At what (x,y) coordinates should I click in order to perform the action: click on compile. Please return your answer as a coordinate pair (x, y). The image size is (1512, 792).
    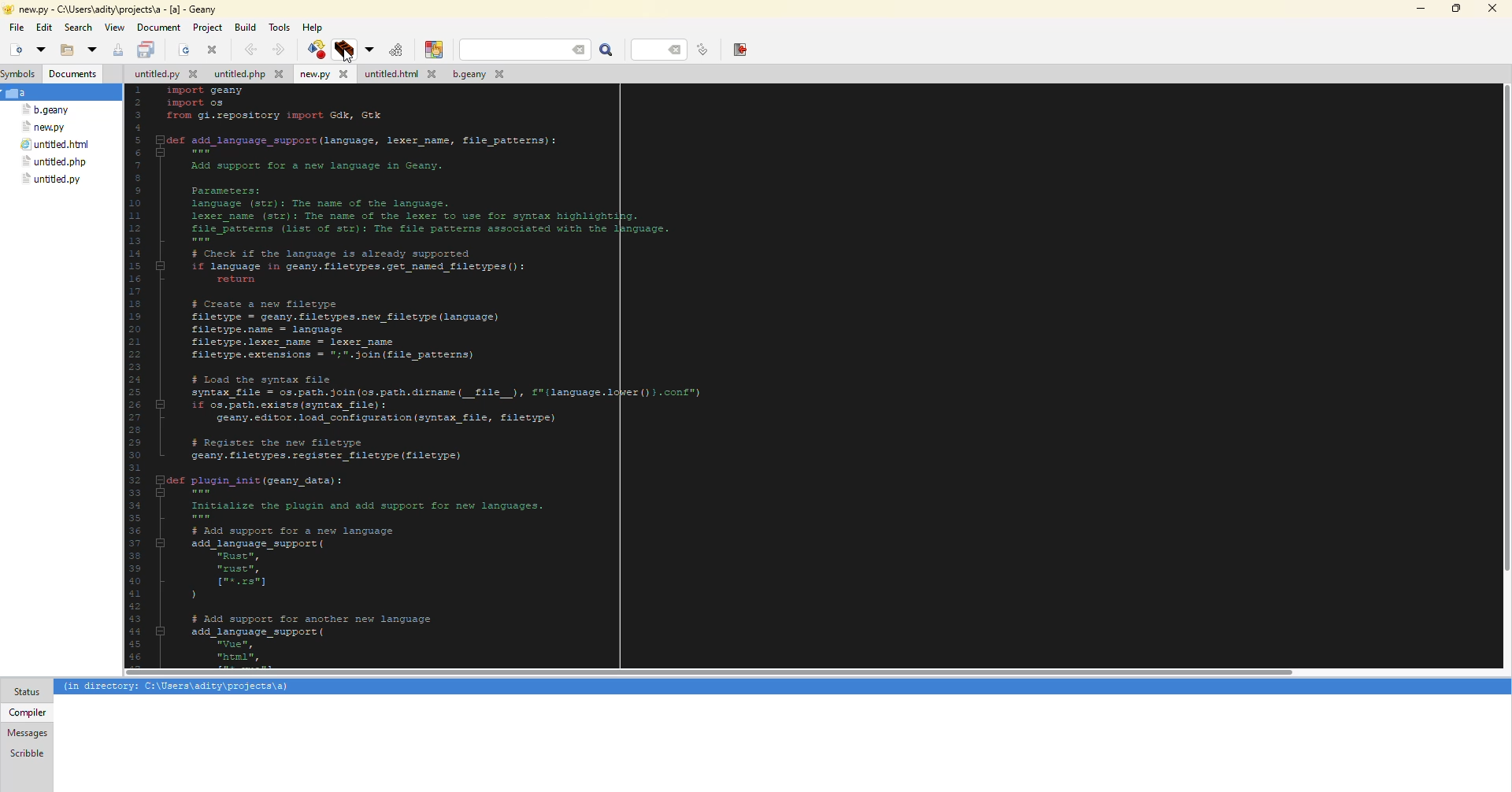
    Looking at the image, I should click on (315, 49).